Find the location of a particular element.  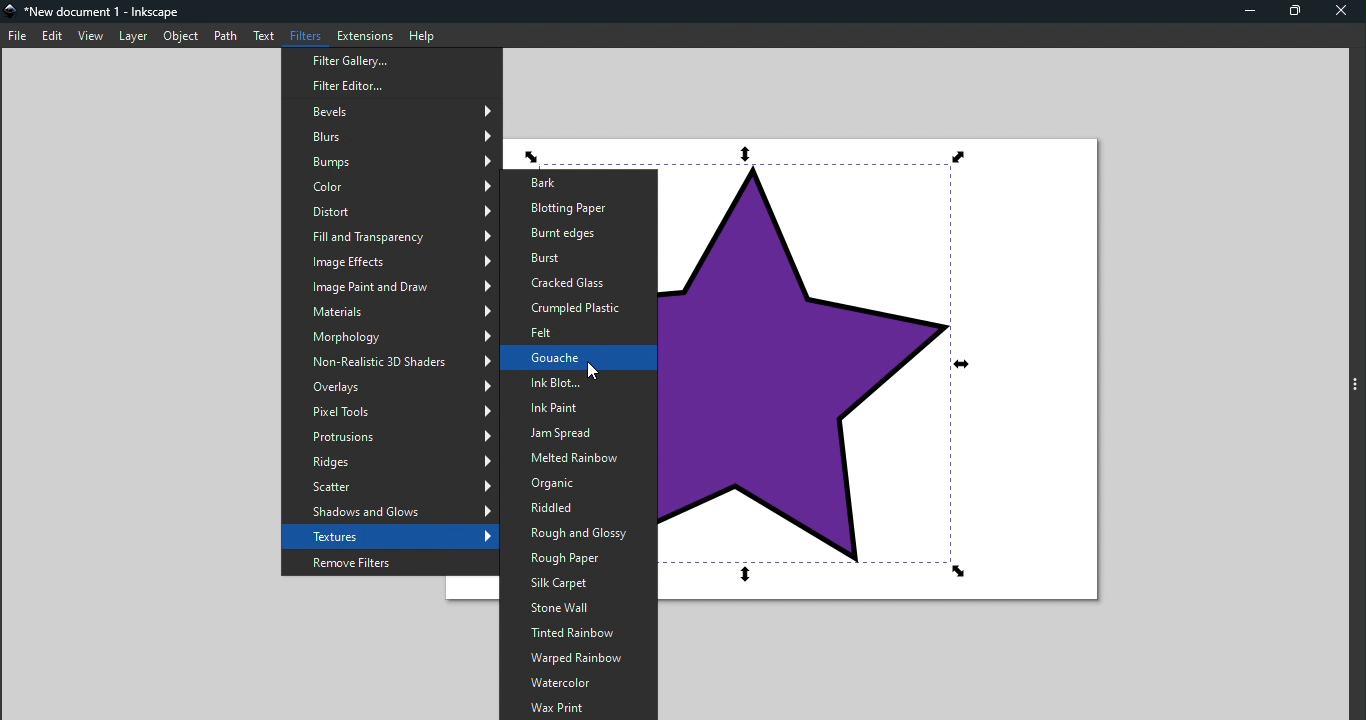

Bark is located at coordinates (576, 182).